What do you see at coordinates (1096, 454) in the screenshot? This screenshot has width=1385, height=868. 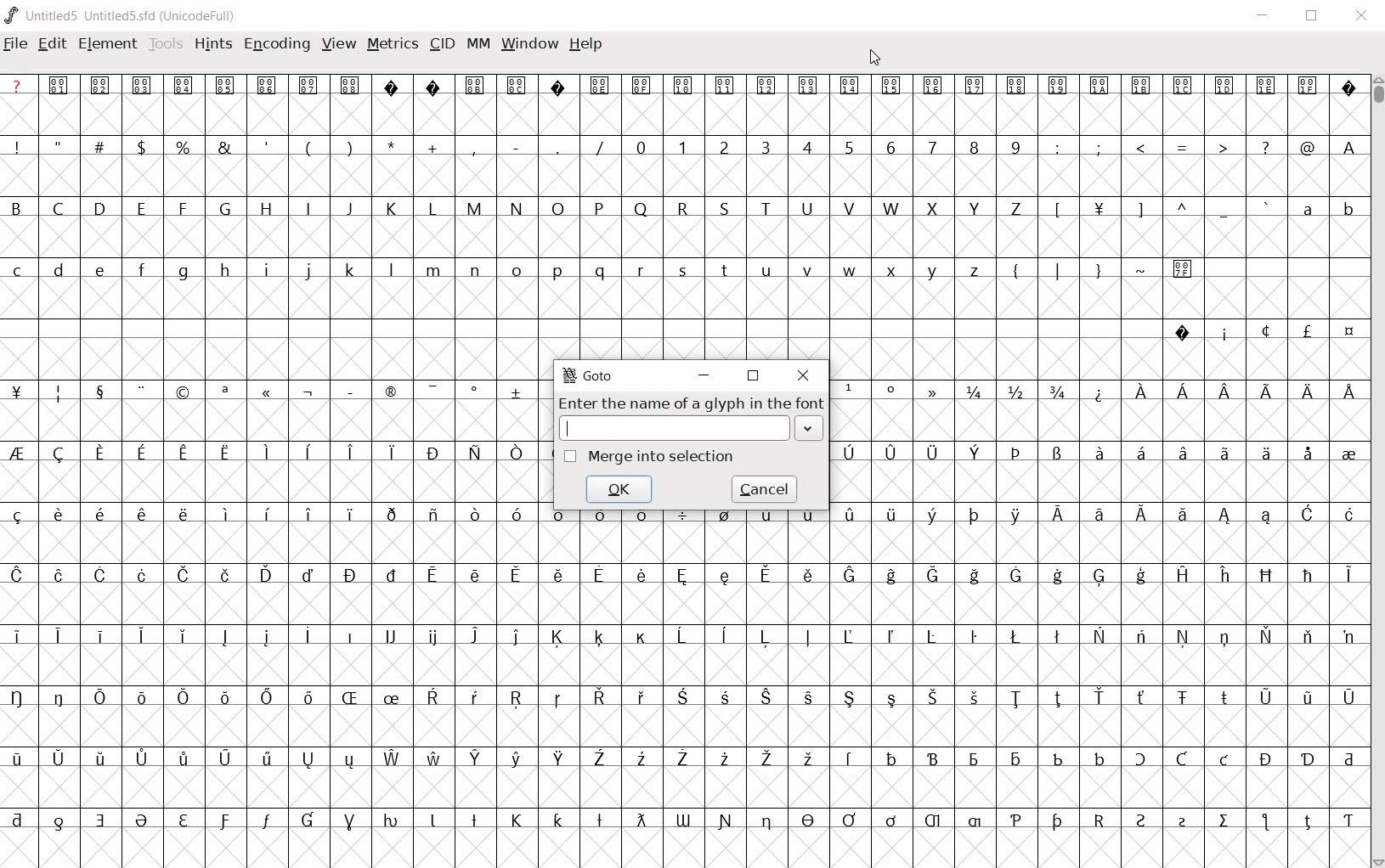 I see `Symbol` at bounding box center [1096, 454].